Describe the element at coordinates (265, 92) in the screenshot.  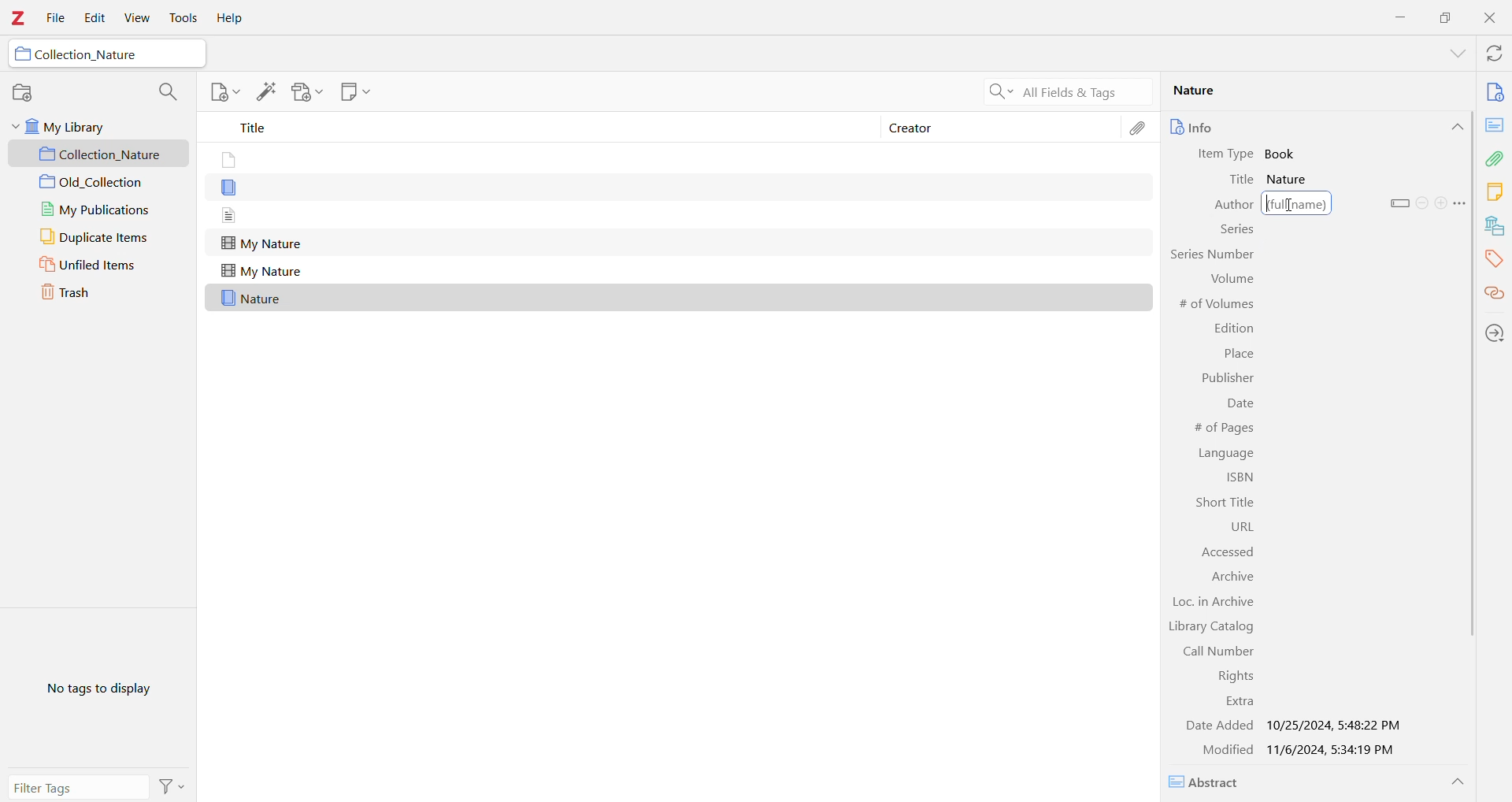
I see `Add item(s) by identifier` at that location.